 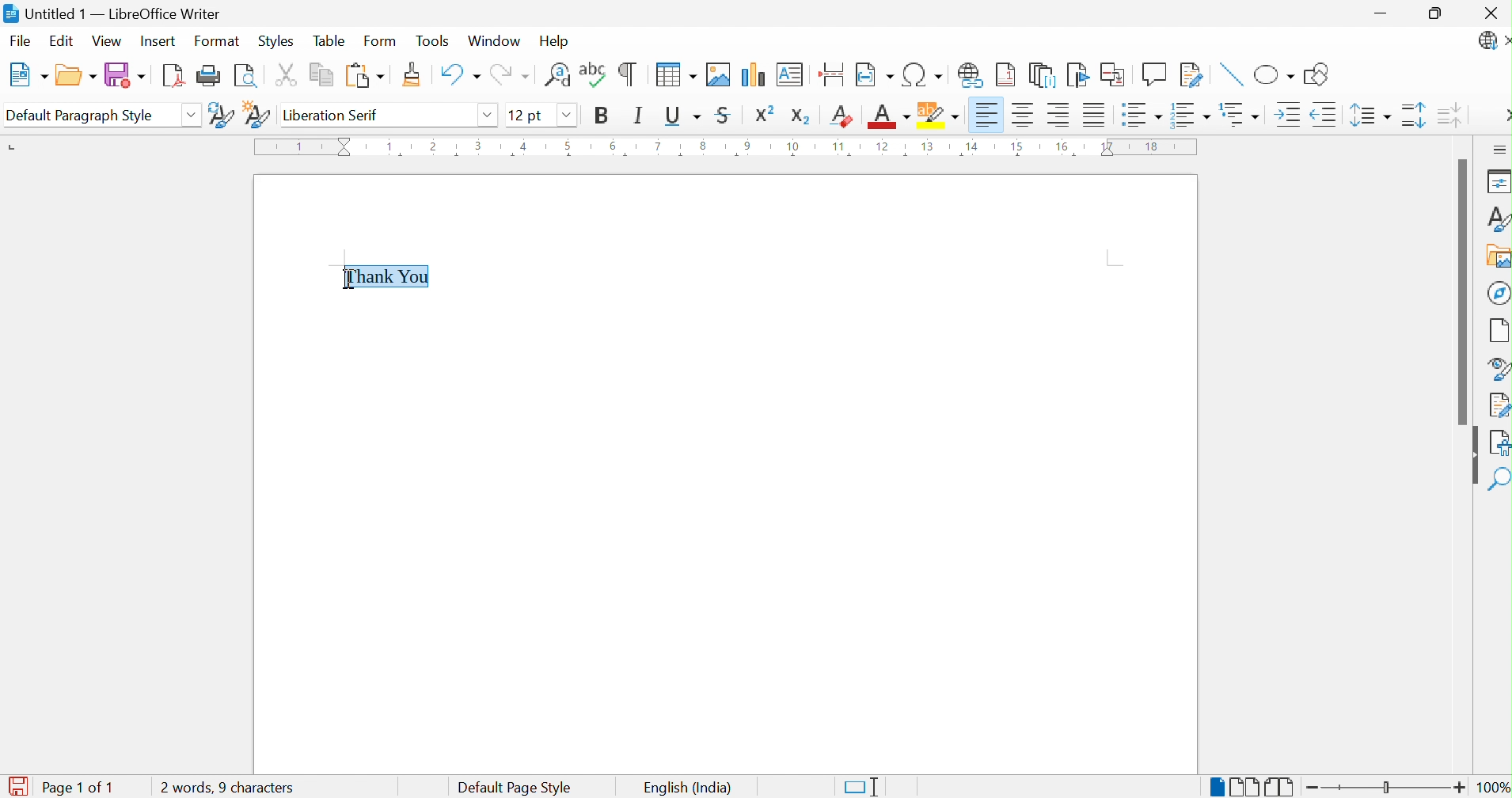 What do you see at coordinates (1318, 74) in the screenshot?
I see `Show Draw Functions` at bounding box center [1318, 74].